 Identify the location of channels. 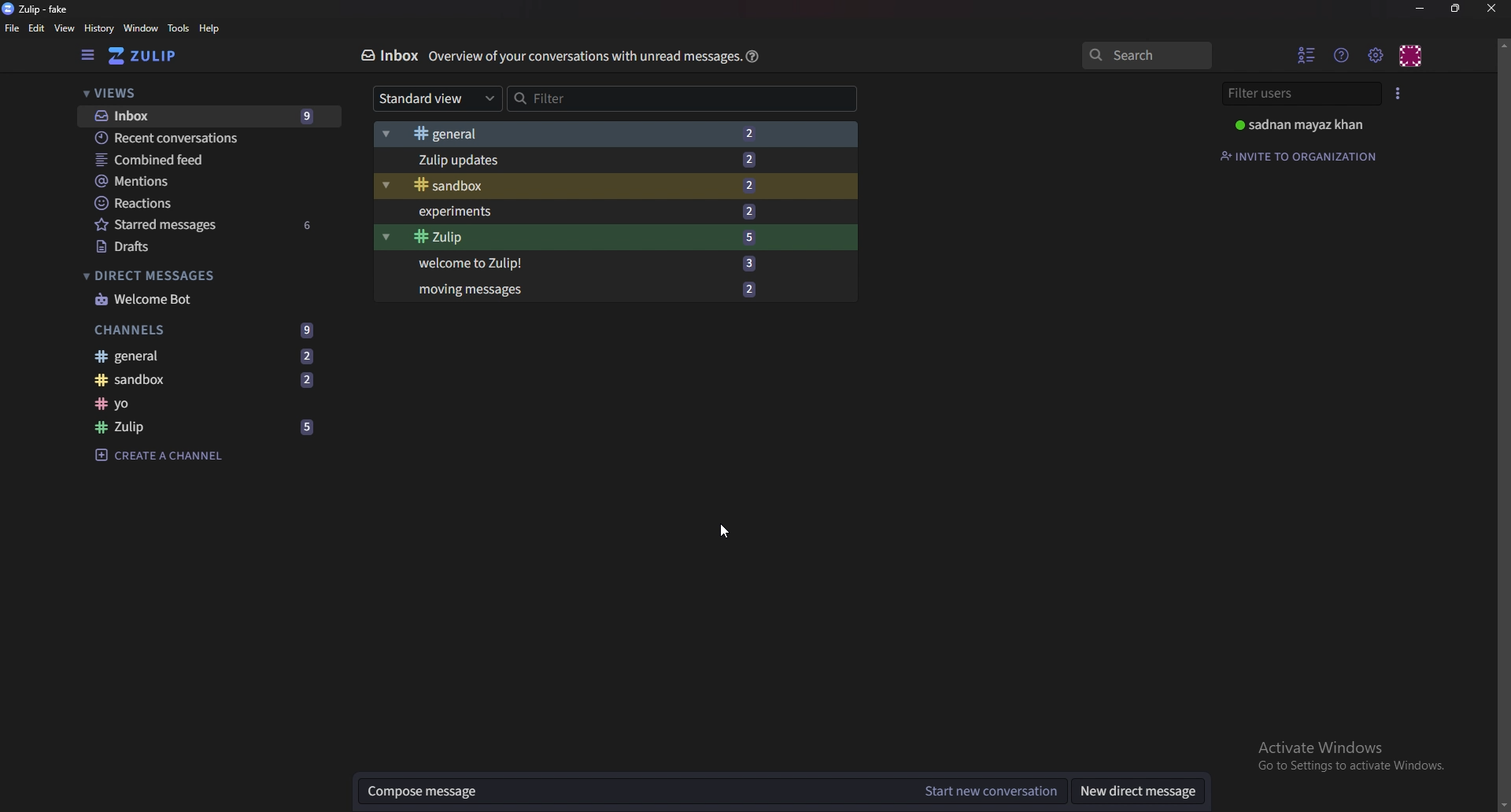
(198, 331).